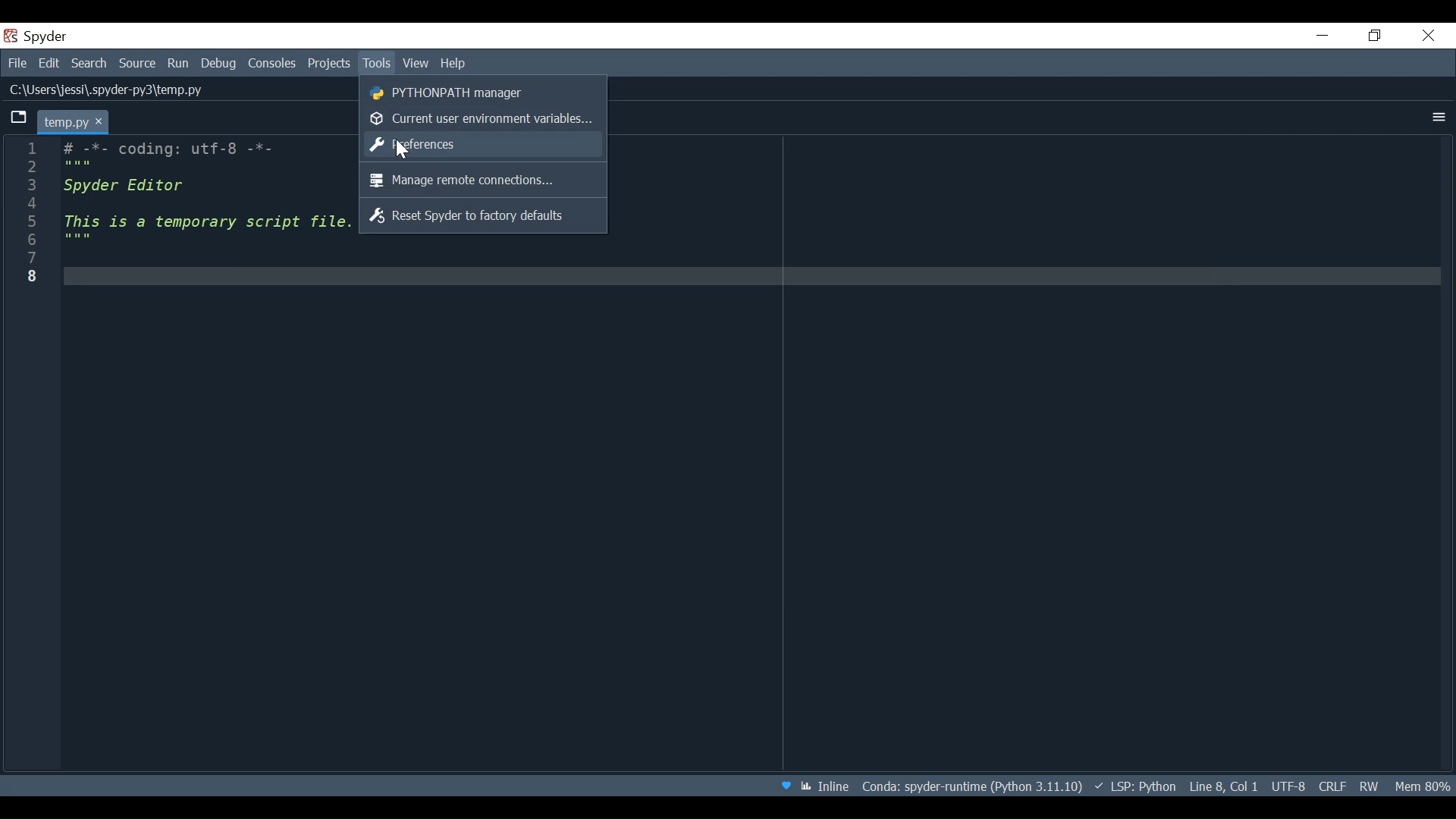  Describe the element at coordinates (138, 64) in the screenshot. I see `Source` at that location.